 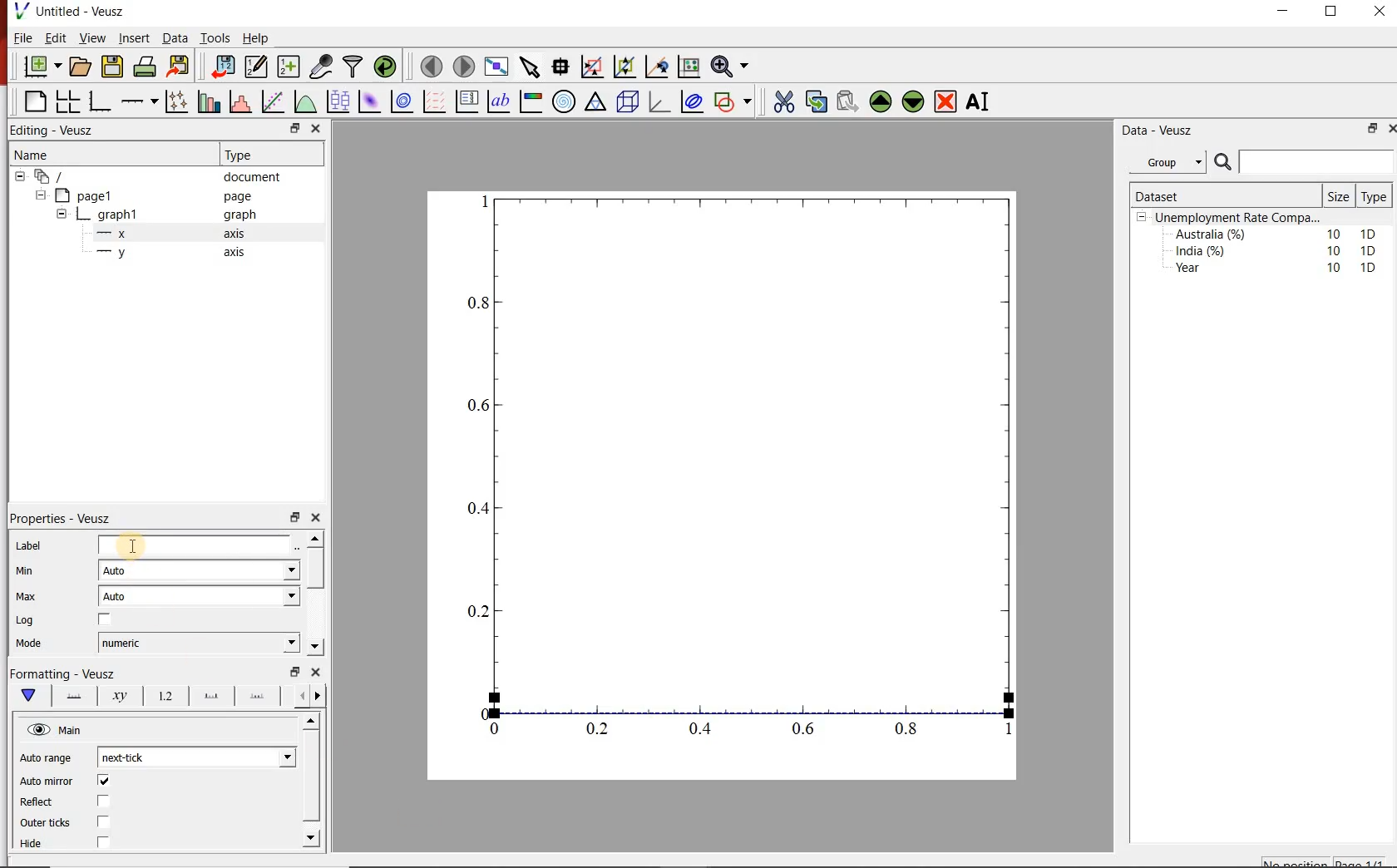 I want to click on y axis, so click(x=180, y=253).